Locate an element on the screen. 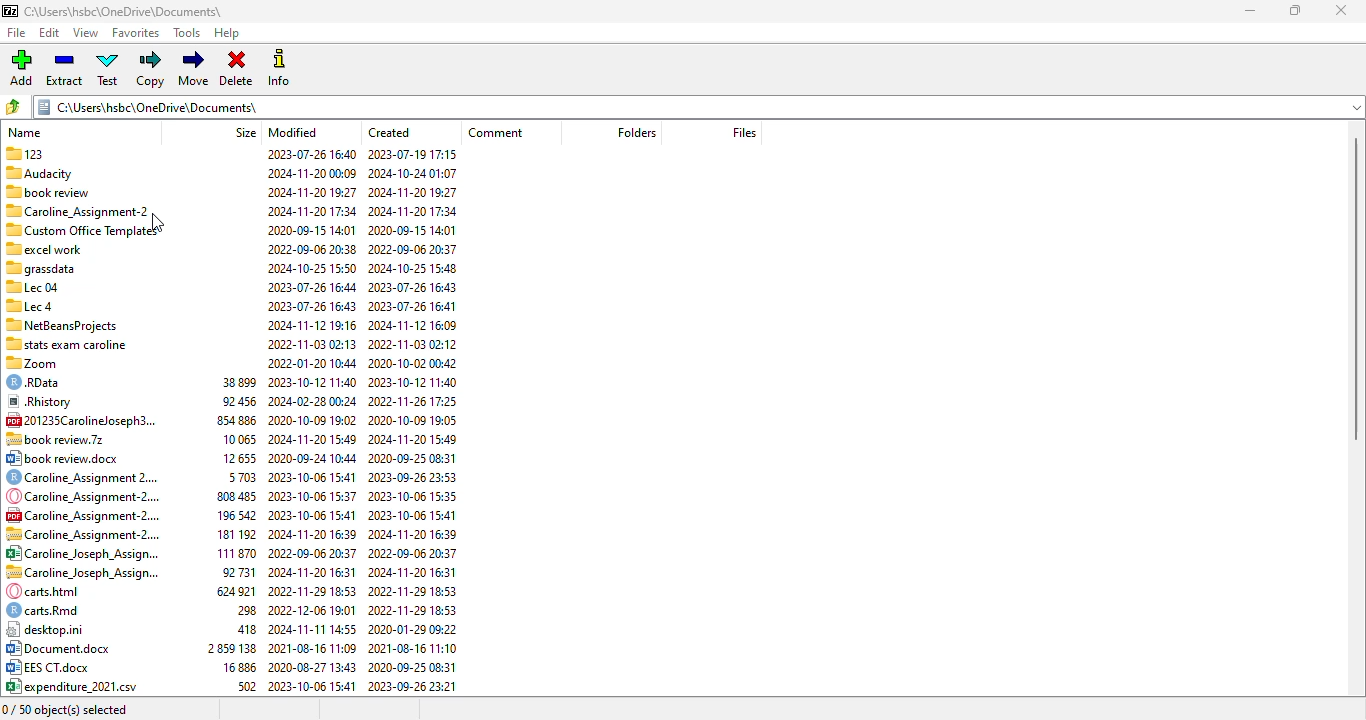 The width and height of the screenshot is (1366, 720). copy is located at coordinates (151, 69).